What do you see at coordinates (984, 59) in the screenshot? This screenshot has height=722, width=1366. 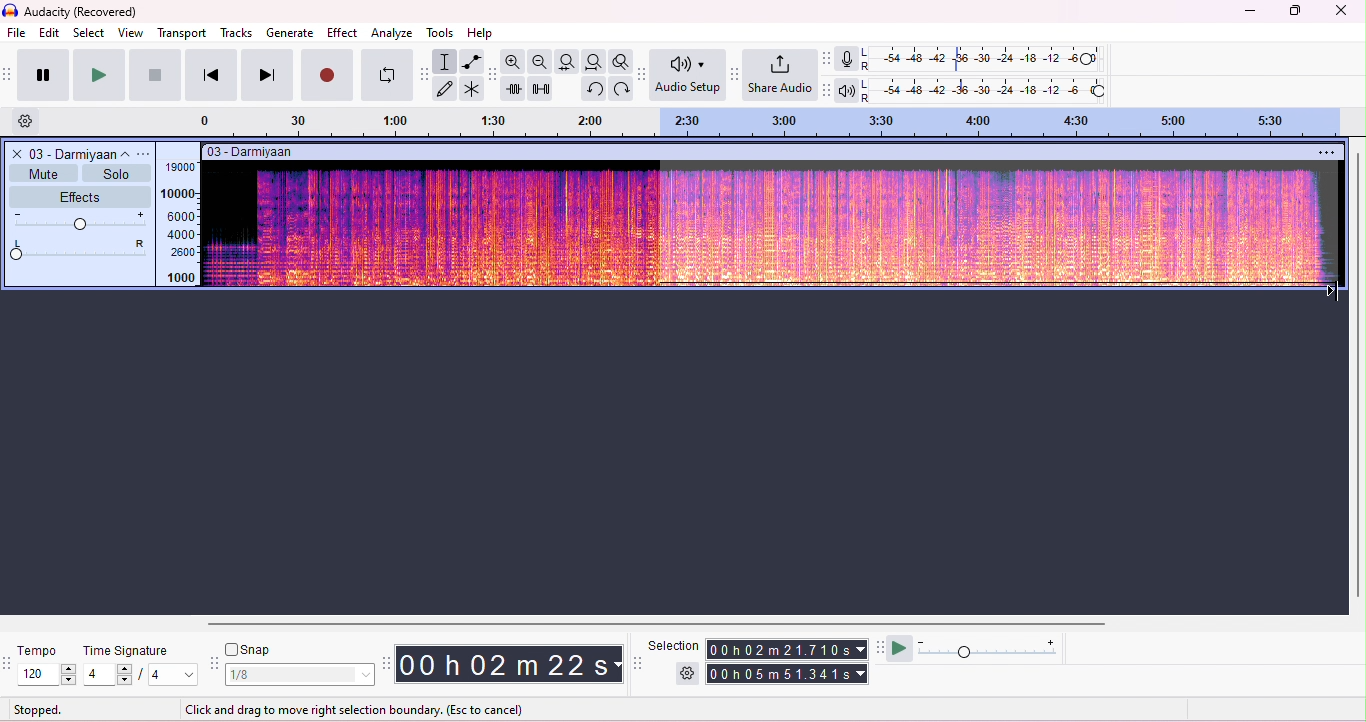 I see `recording level` at bounding box center [984, 59].